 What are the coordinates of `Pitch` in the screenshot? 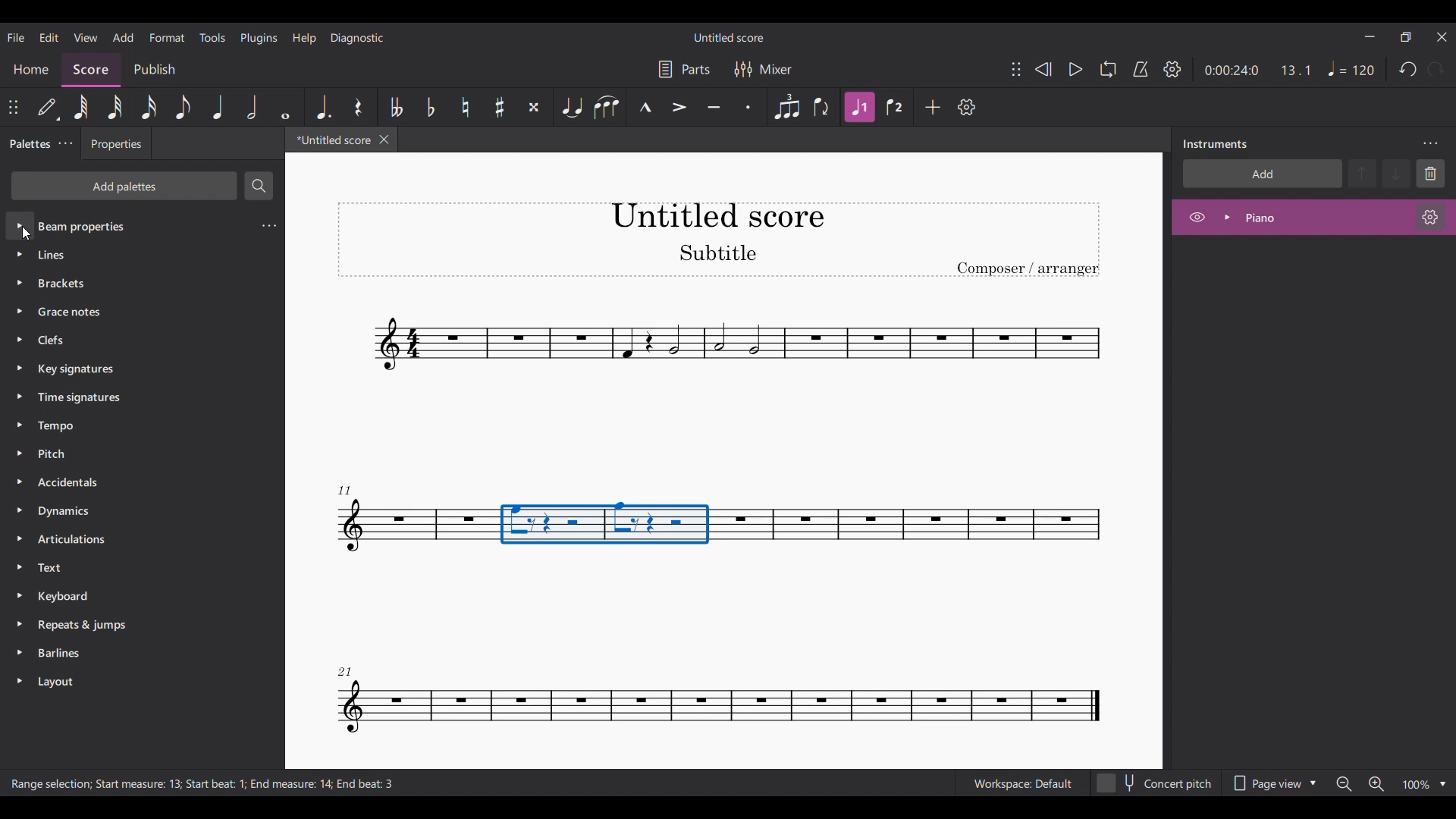 It's located at (129, 453).